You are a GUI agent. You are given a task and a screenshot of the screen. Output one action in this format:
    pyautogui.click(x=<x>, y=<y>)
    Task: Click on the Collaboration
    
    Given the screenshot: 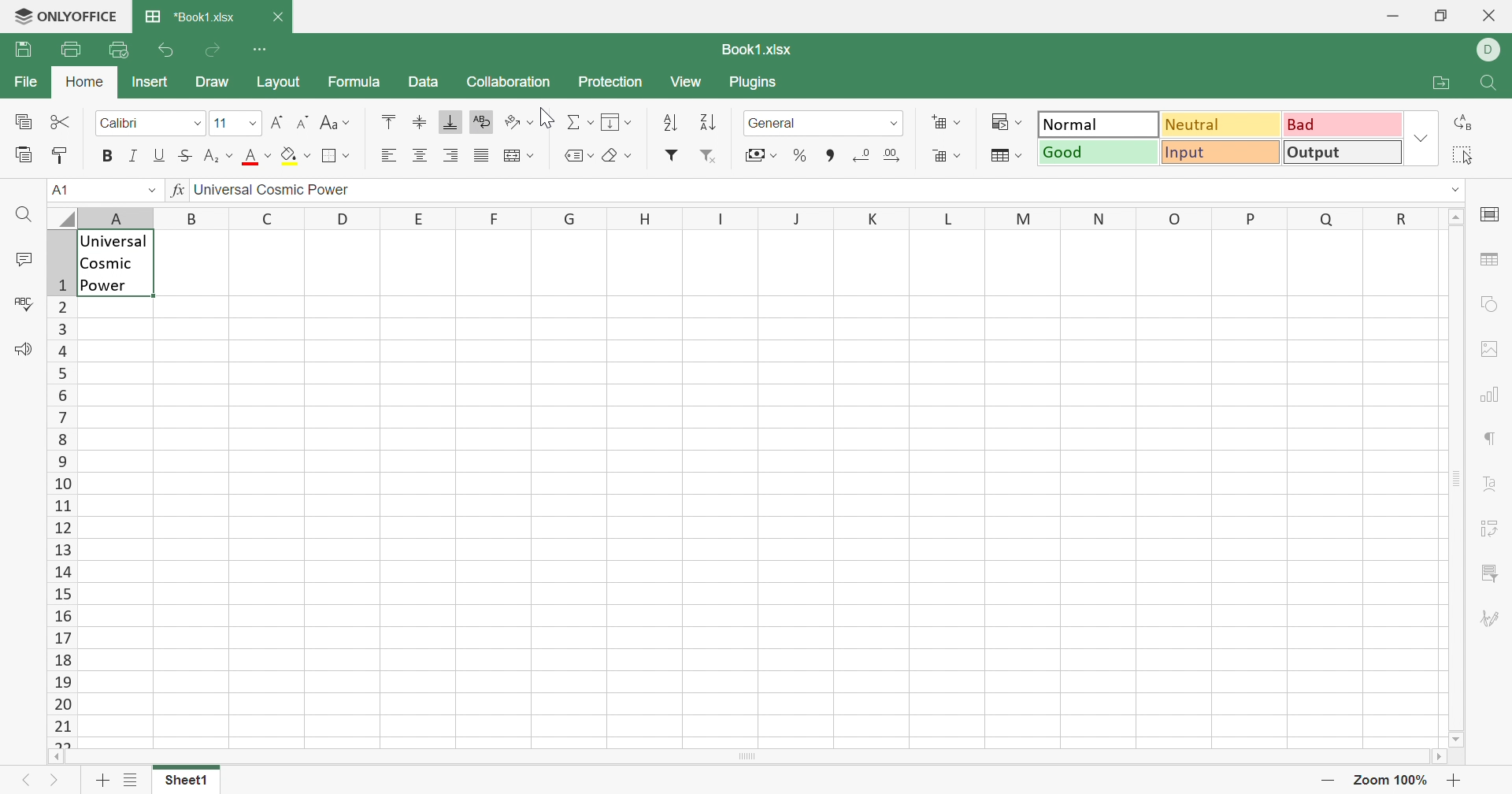 What is the action you would take?
    pyautogui.click(x=512, y=82)
    